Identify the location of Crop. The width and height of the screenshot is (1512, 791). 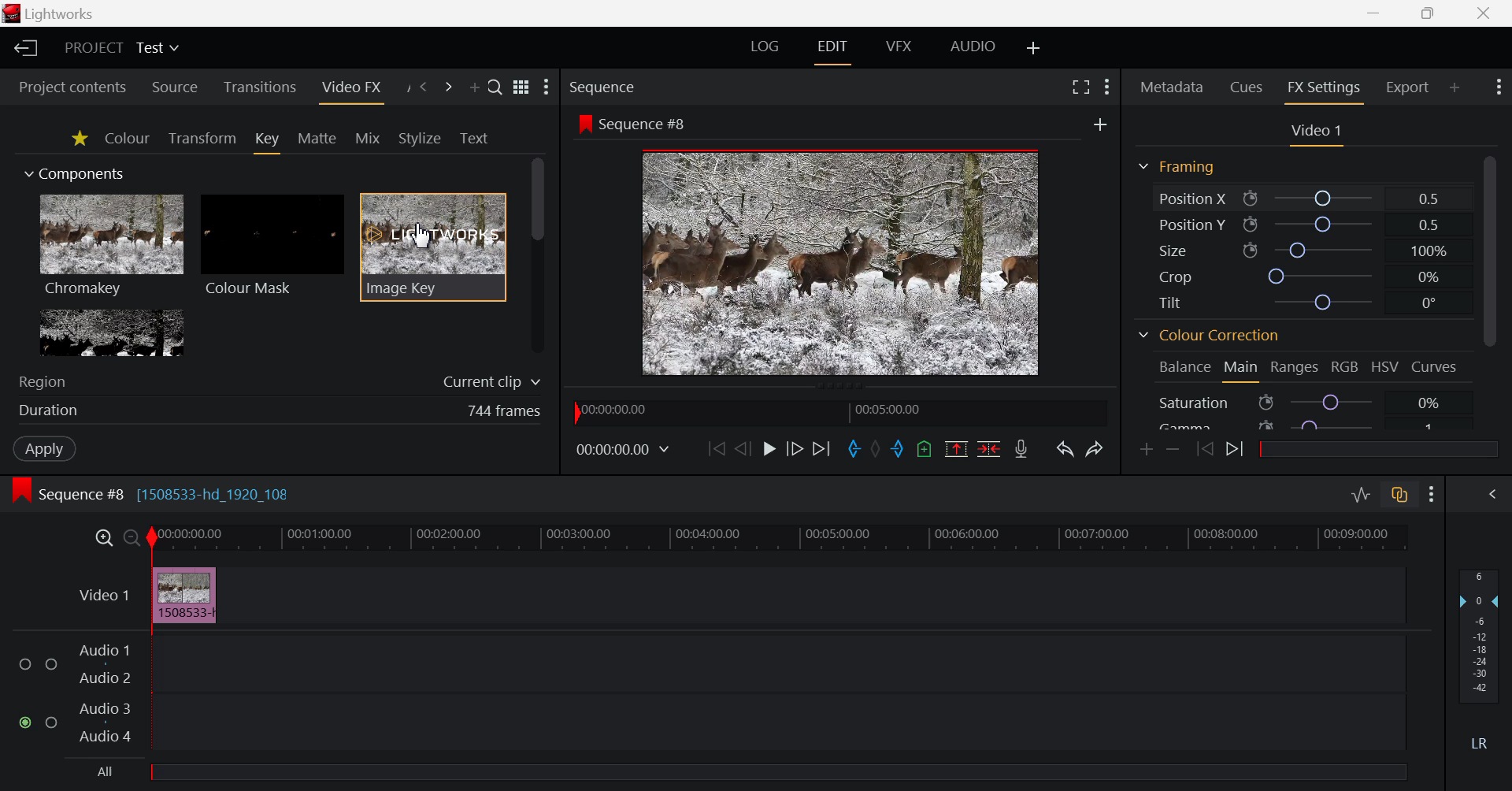
(1173, 277).